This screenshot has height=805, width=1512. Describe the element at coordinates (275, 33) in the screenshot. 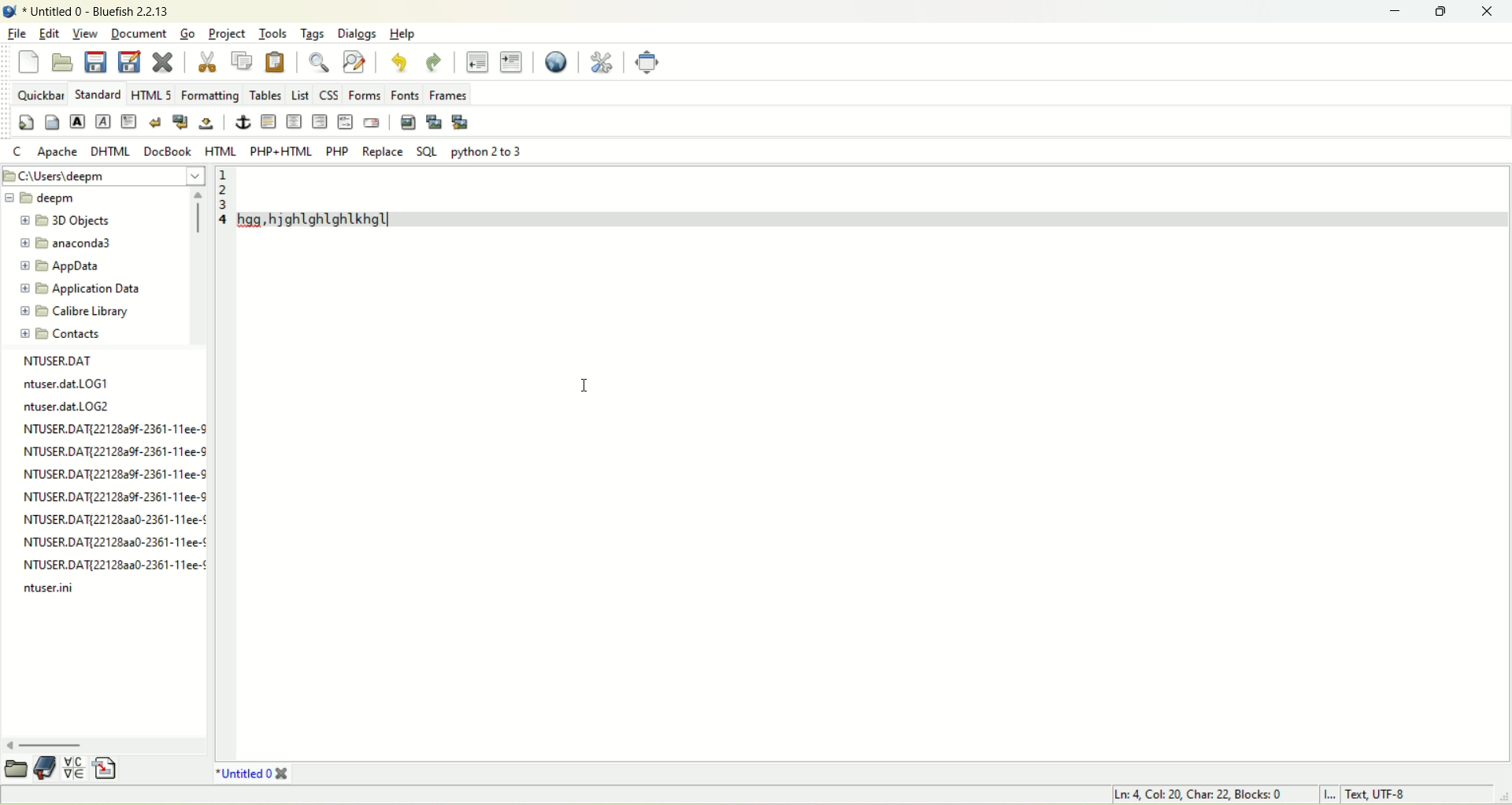

I see `tools` at that location.